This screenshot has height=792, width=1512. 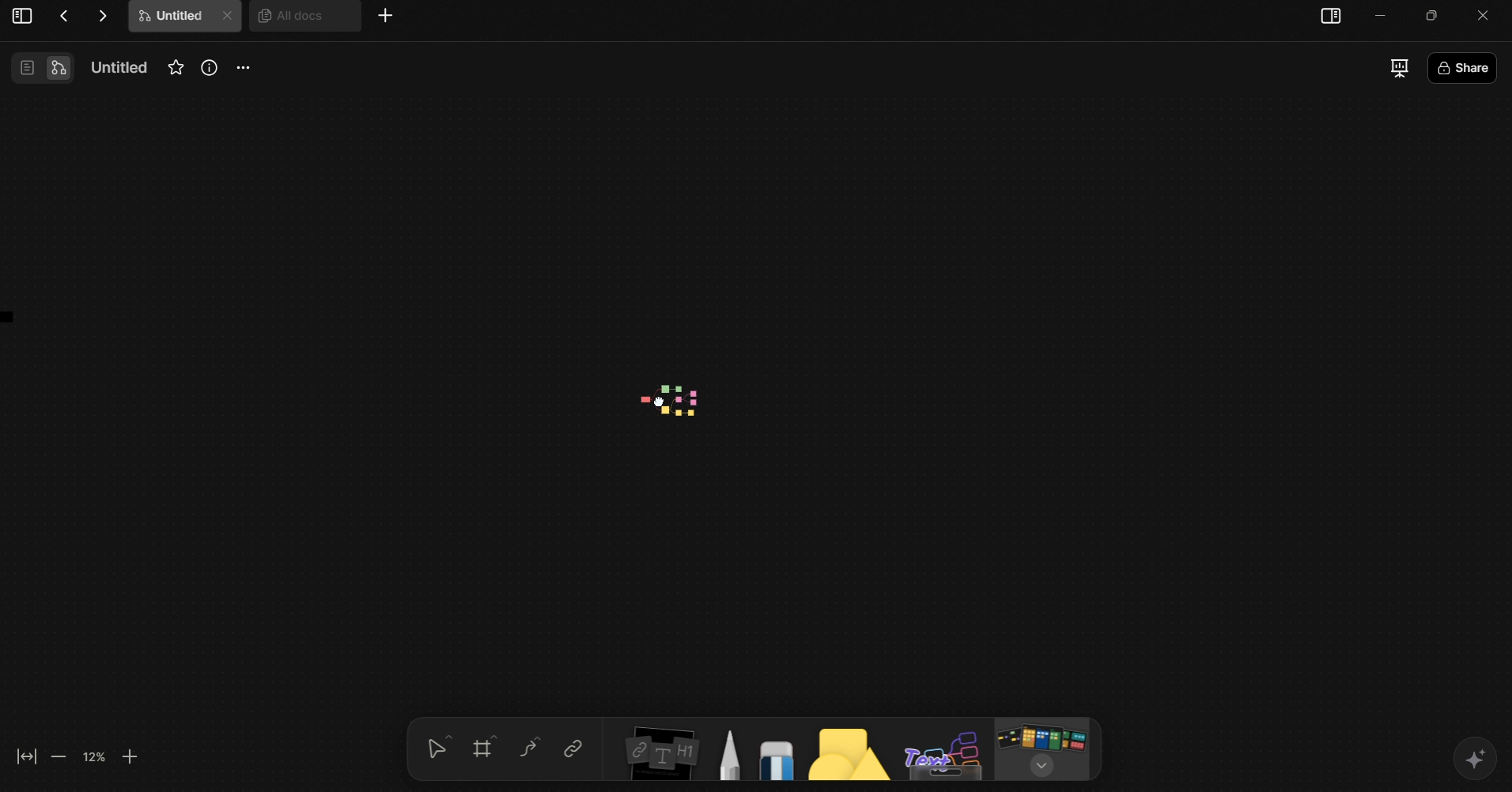 What do you see at coordinates (528, 749) in the screenshot?
I see `Curve Tool` at bounding box center [528, 749].